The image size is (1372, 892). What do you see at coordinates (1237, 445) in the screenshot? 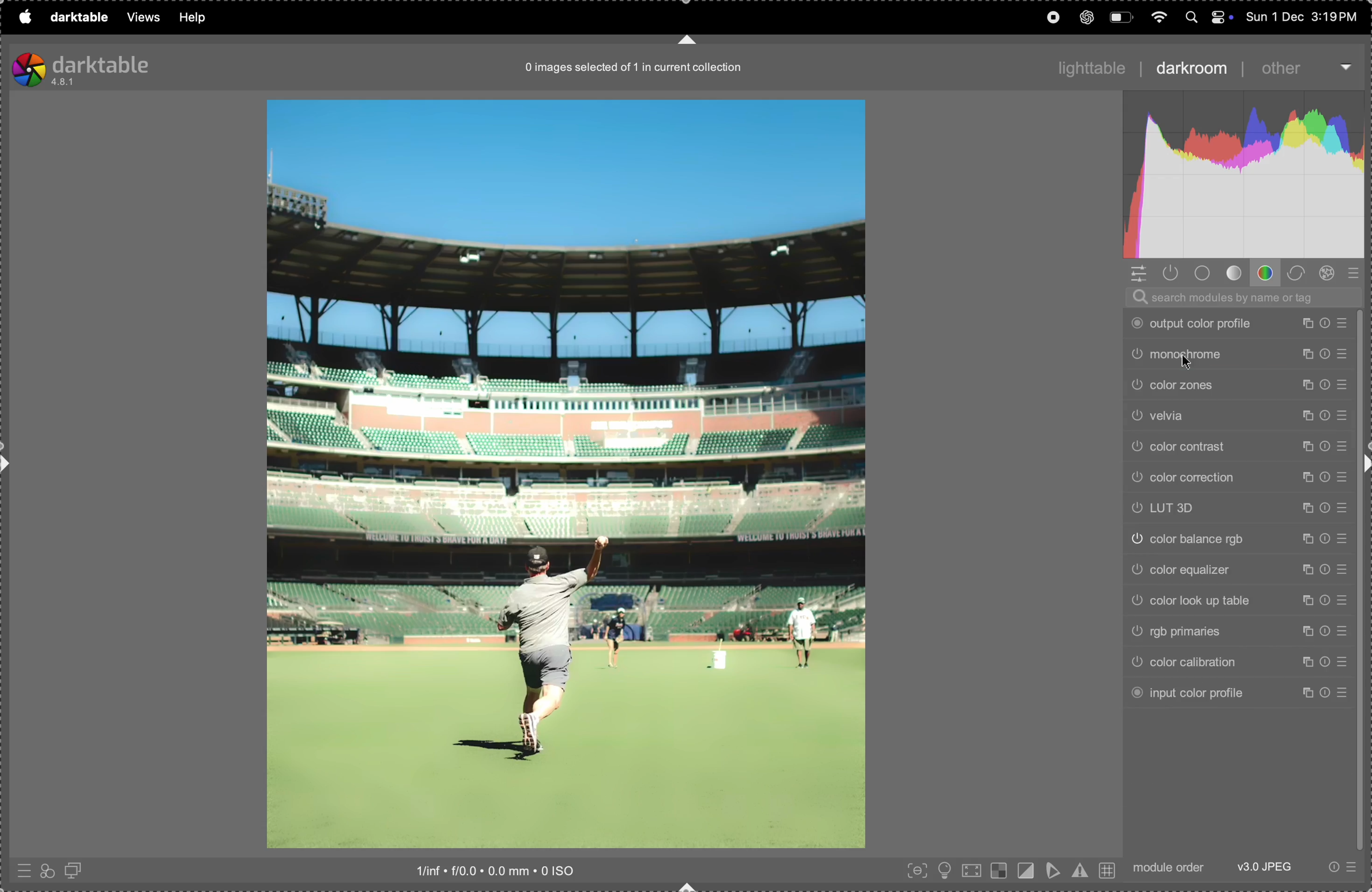
I see `color contrast` at bounding box center [1237, 445].